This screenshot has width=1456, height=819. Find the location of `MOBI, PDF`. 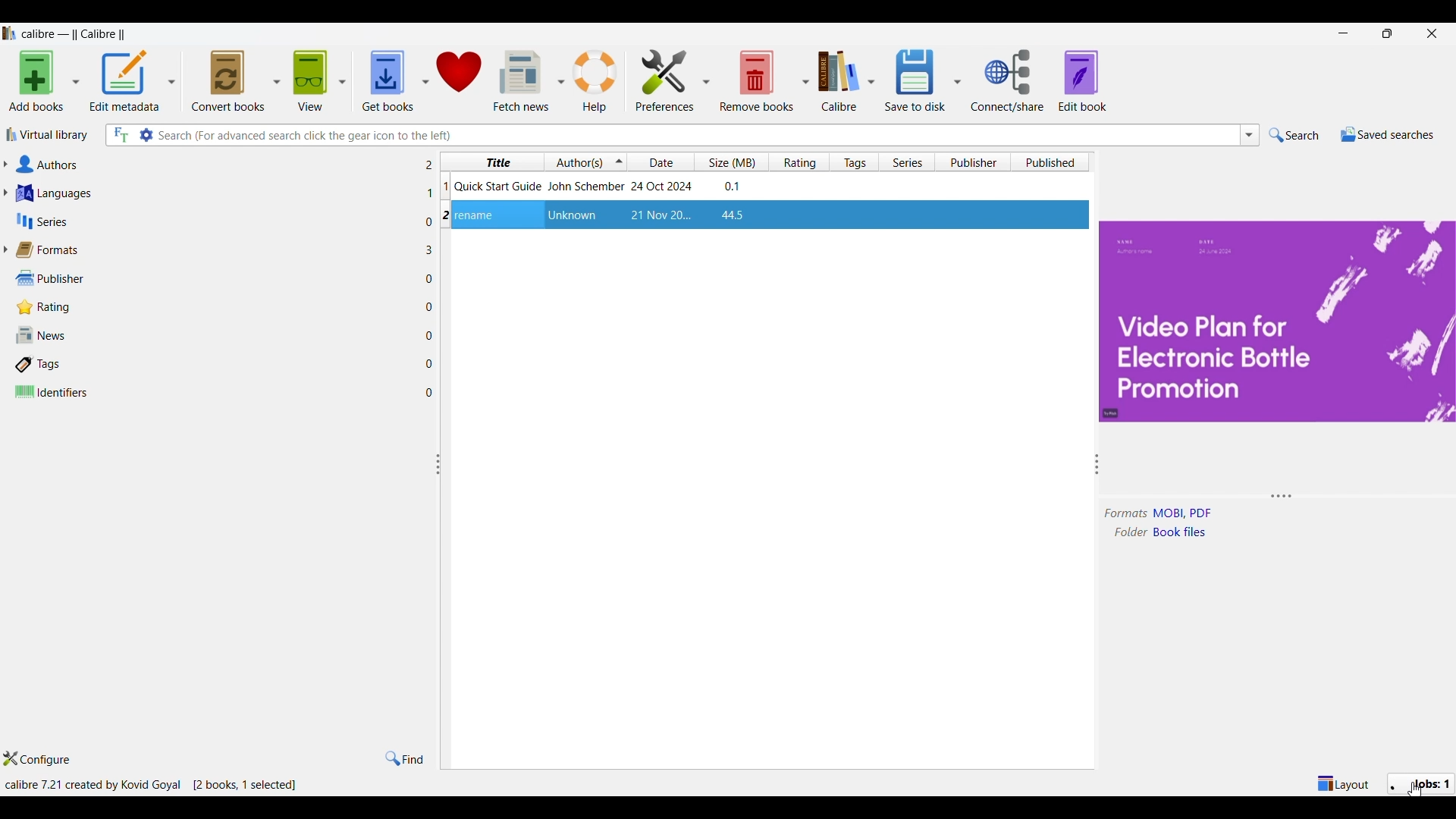

MOBI, PDF is located at coordinates (1194, 513).